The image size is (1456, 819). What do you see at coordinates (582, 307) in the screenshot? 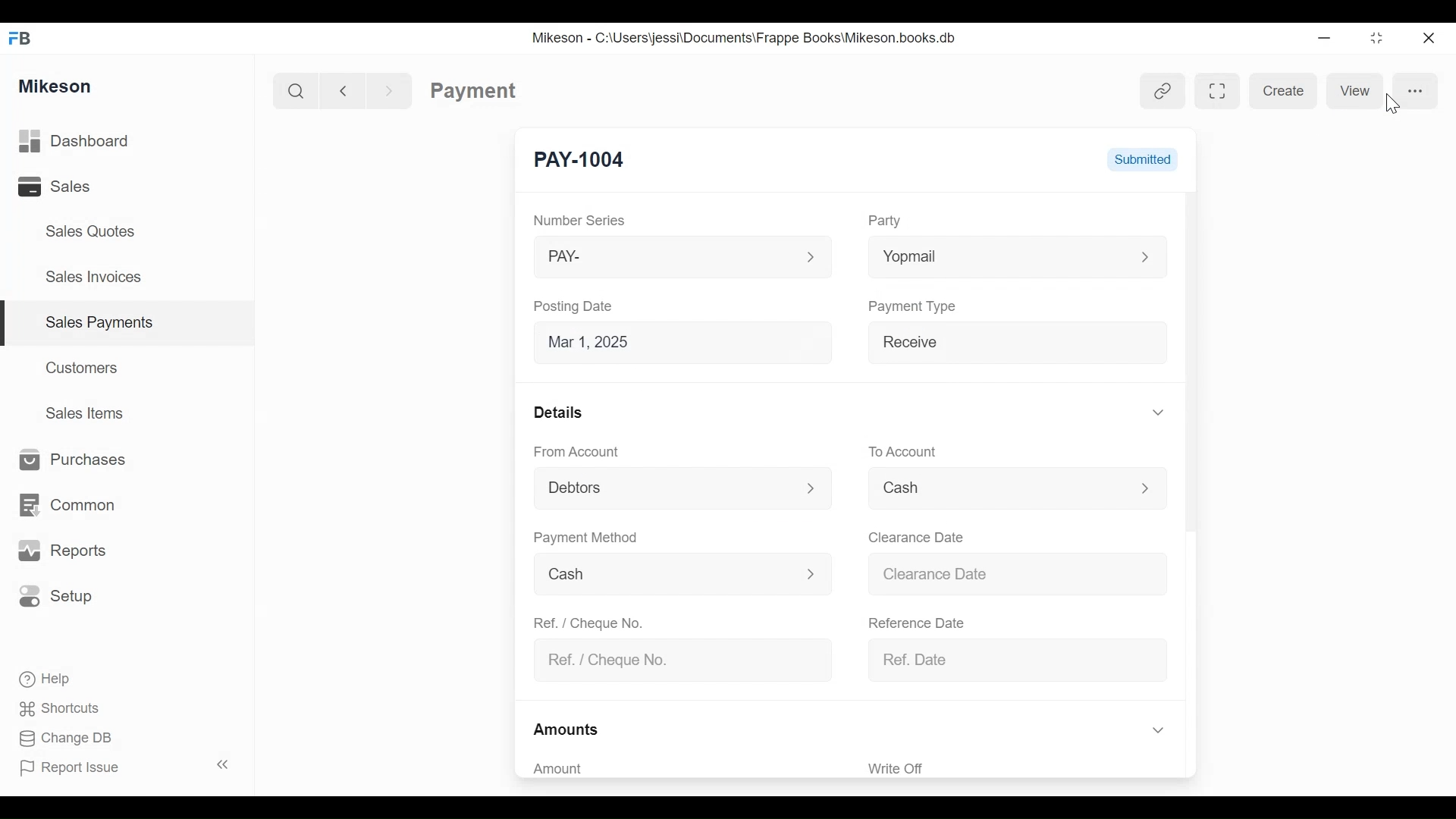
I see `Posting Date` at bounding box center [582, 307].